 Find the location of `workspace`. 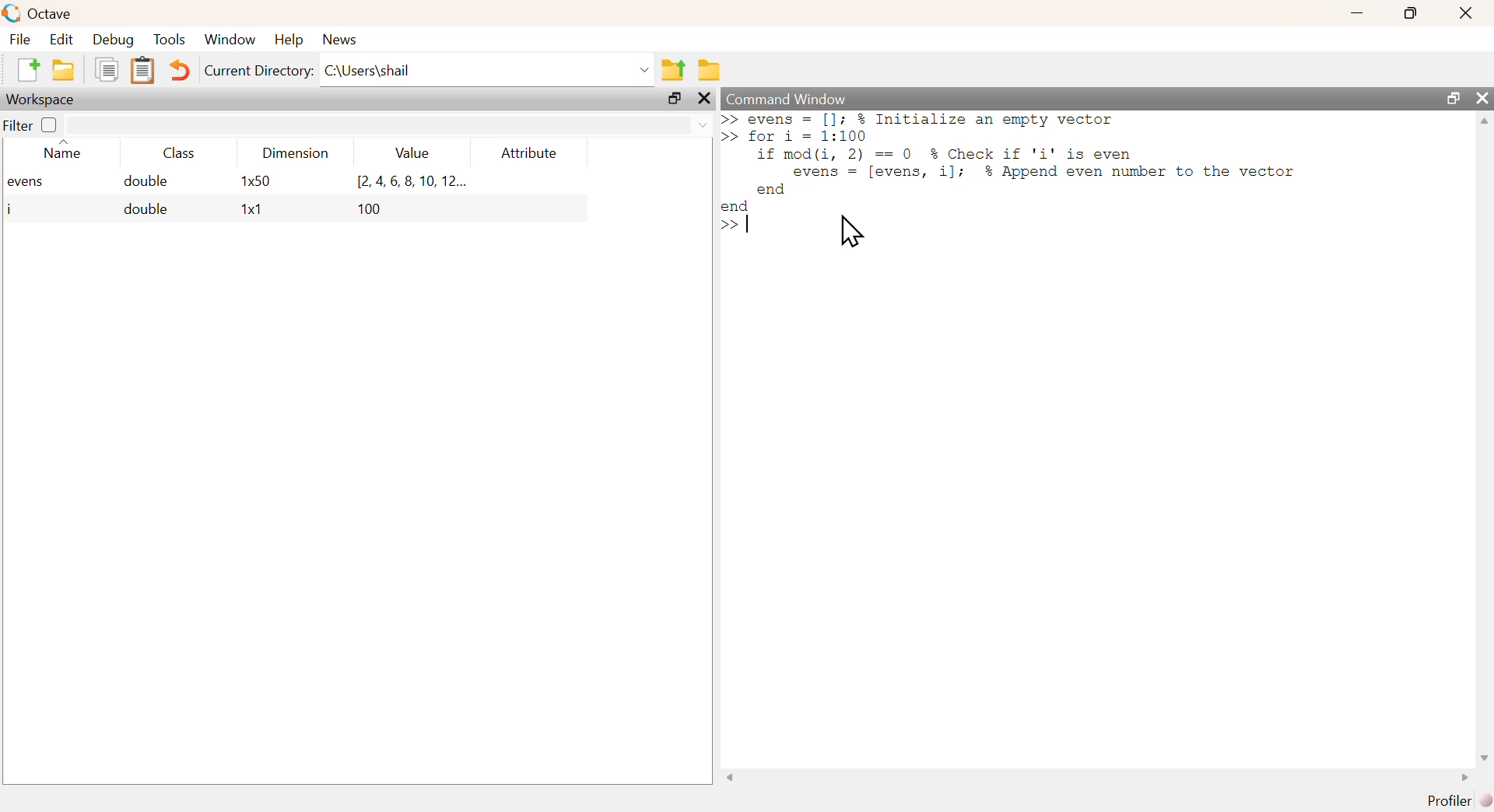

workspace is located at coordinates (44, 100).